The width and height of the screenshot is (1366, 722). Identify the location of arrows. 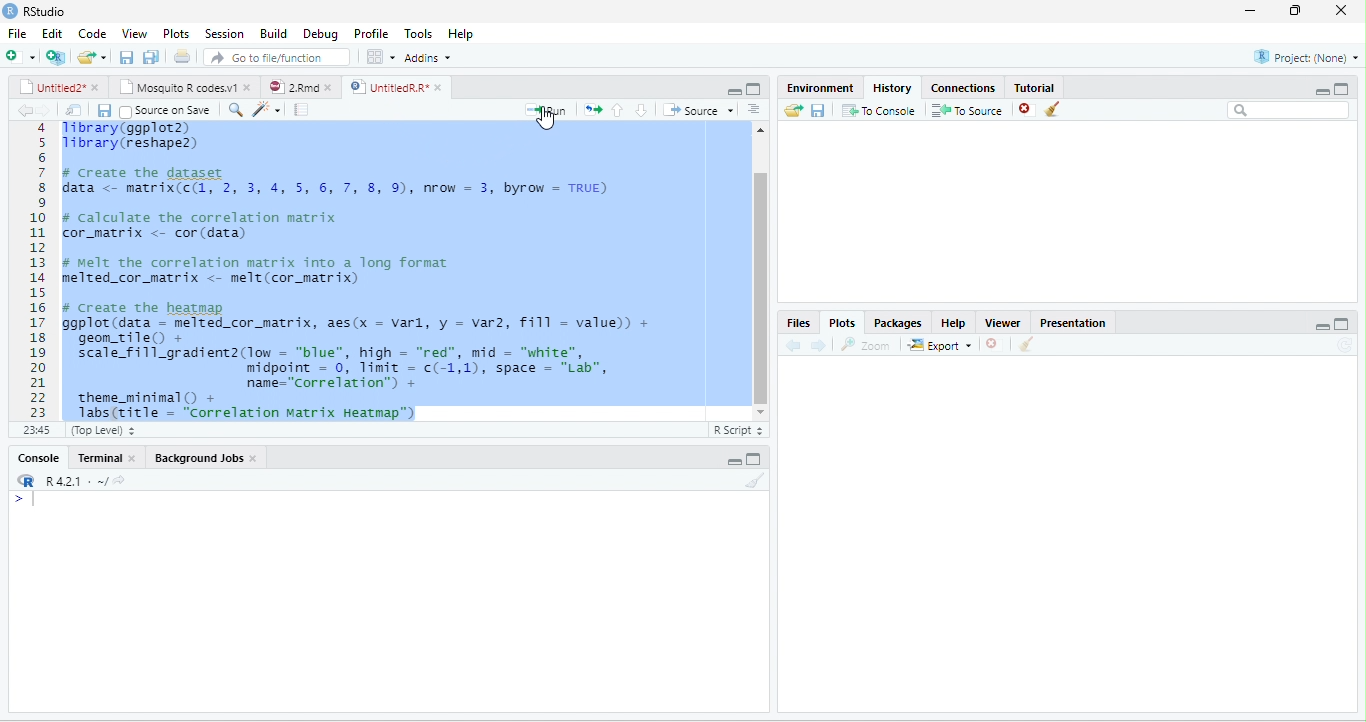
(592, 111).